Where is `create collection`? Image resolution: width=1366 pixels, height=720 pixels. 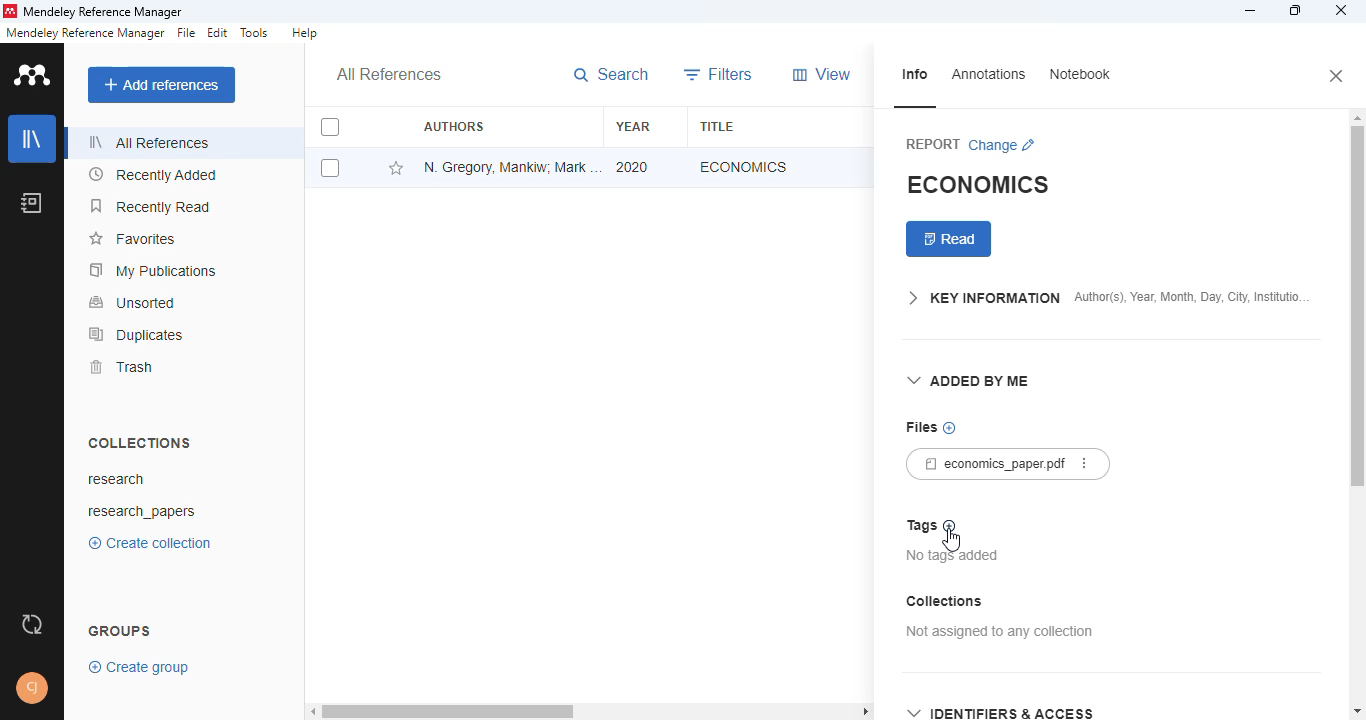
create collection is located at coordinates (149, 543).